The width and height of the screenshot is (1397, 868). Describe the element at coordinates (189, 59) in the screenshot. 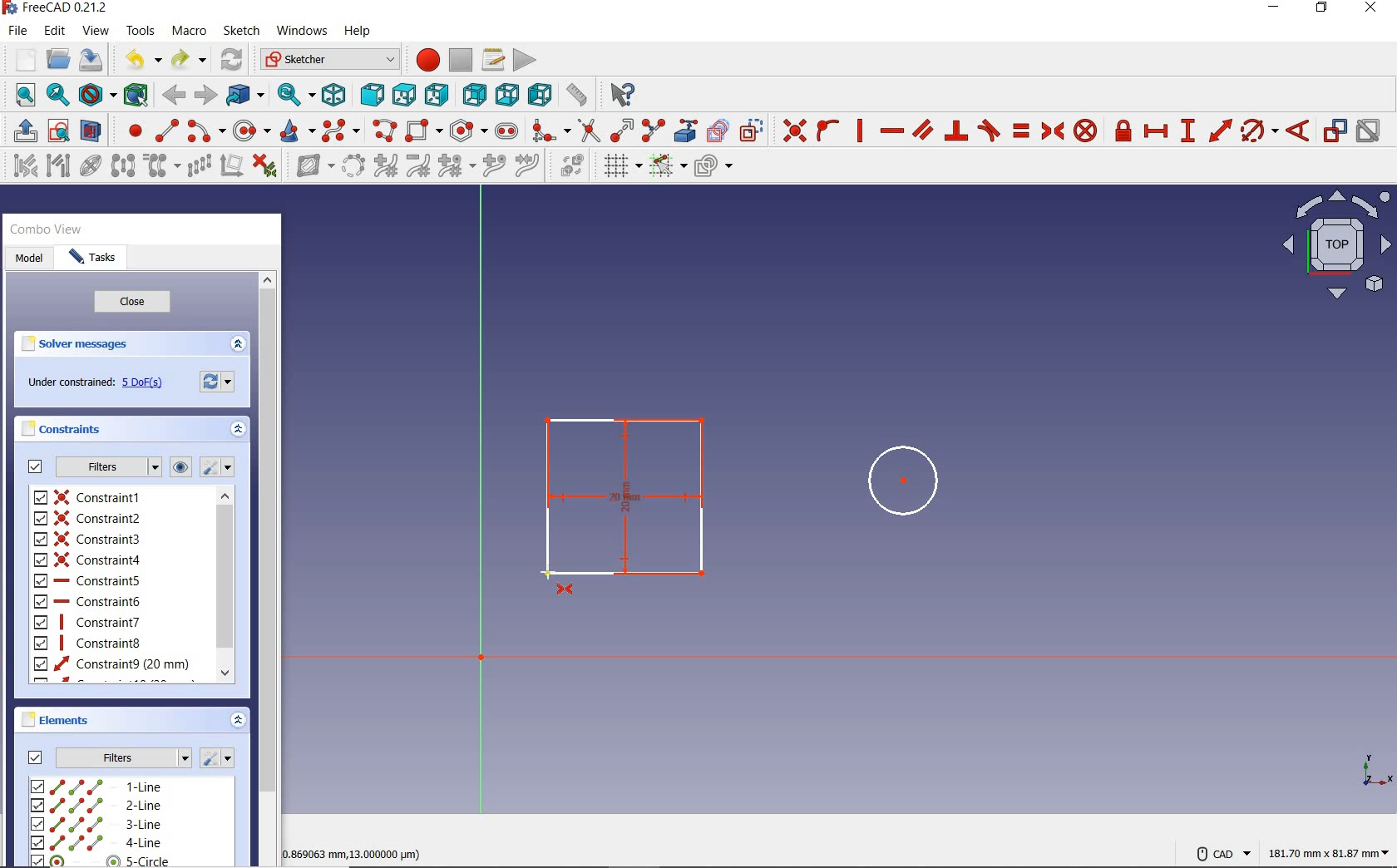

I see `redo` at that location.